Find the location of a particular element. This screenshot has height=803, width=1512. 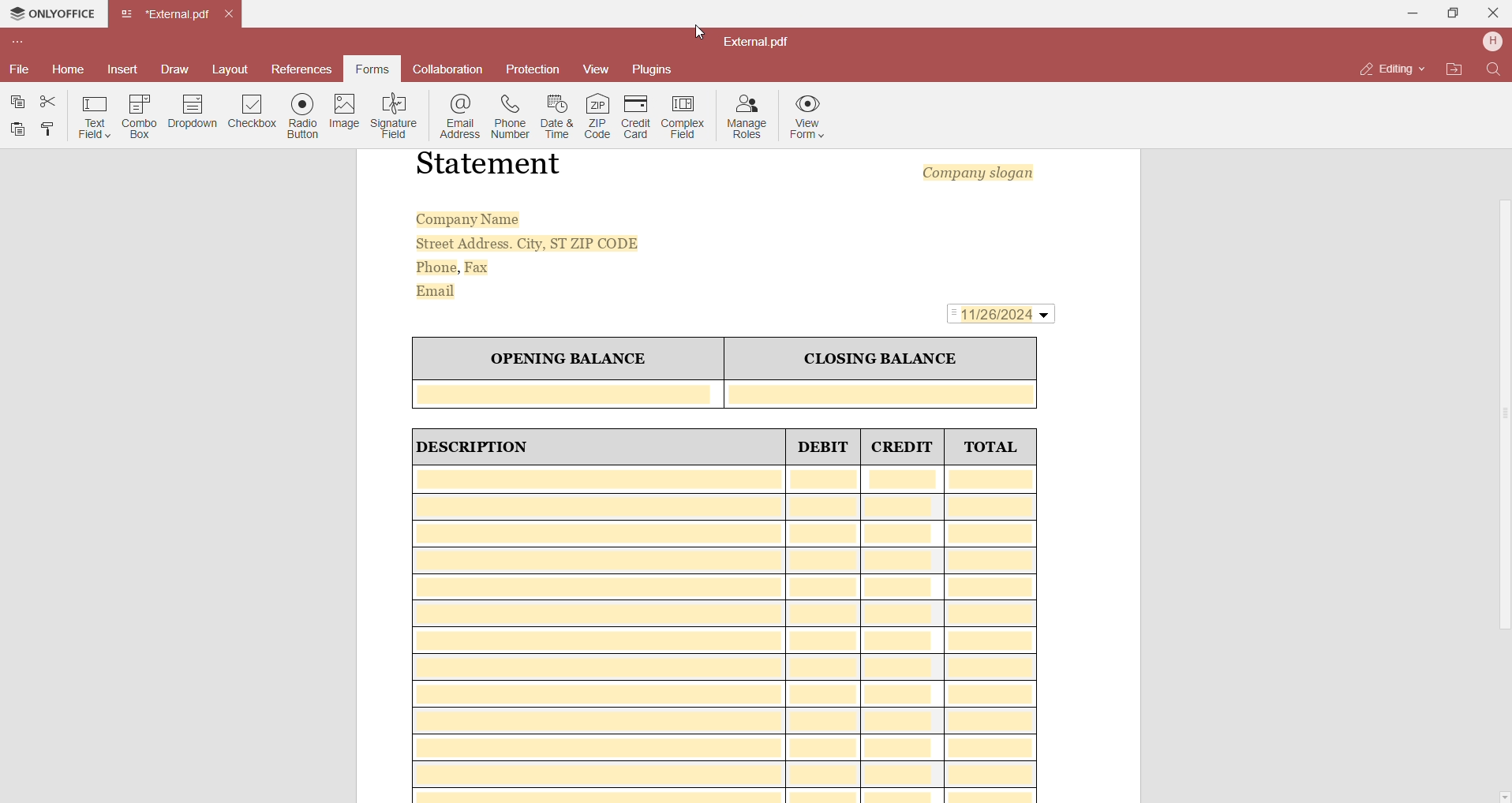

Sample Template Form Of Bank Account Statement  is located at coordinates (750, 474).